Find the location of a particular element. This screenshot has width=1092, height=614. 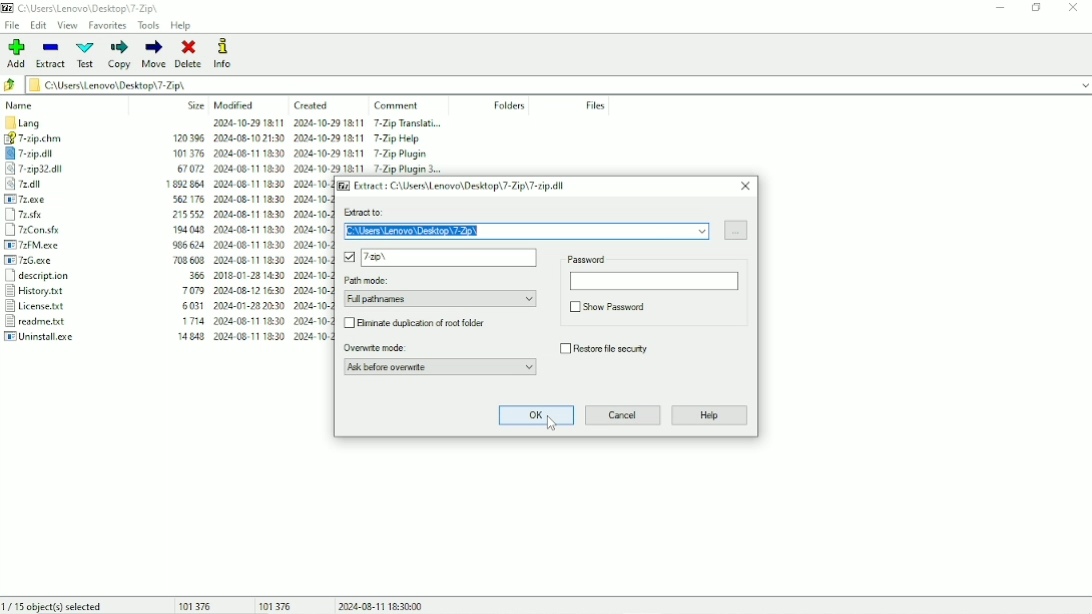

Comment is located at coordinates (399, 105).